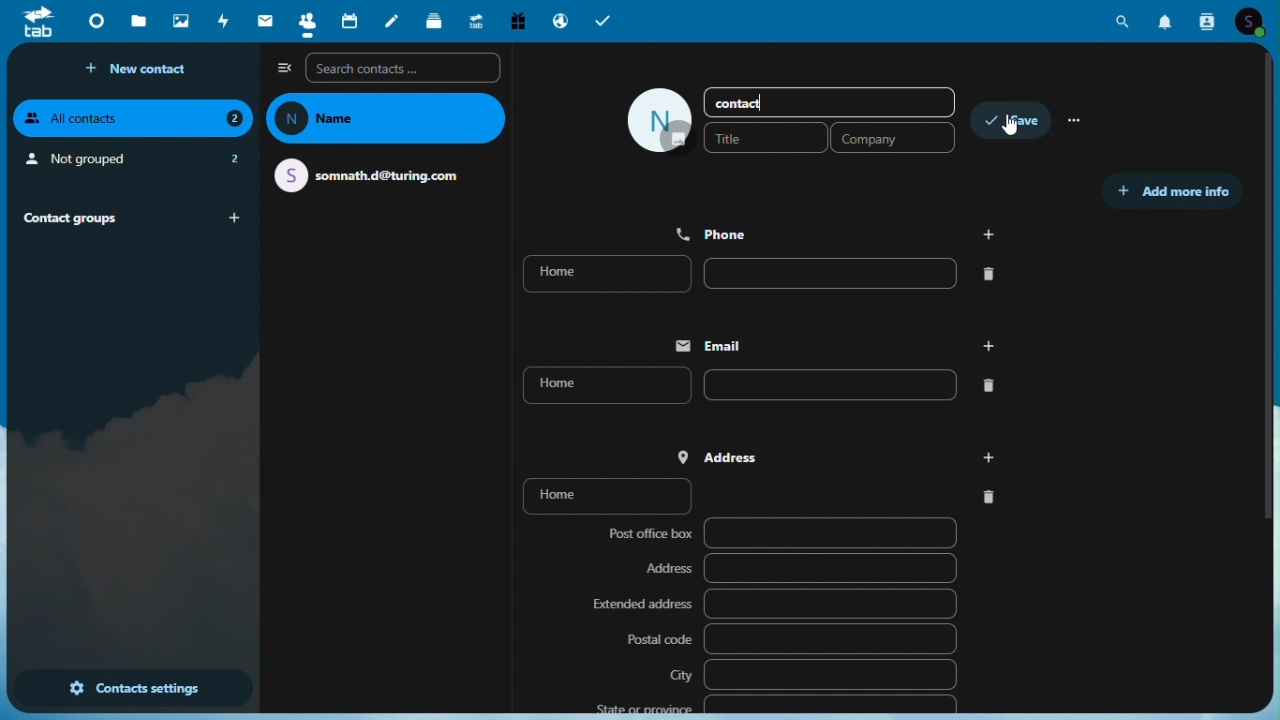 The image size is (1280, 720). What do you see at coordinates (349, 22) in the screenshot?
I see `Calendar` at bounding box center [349, 22].